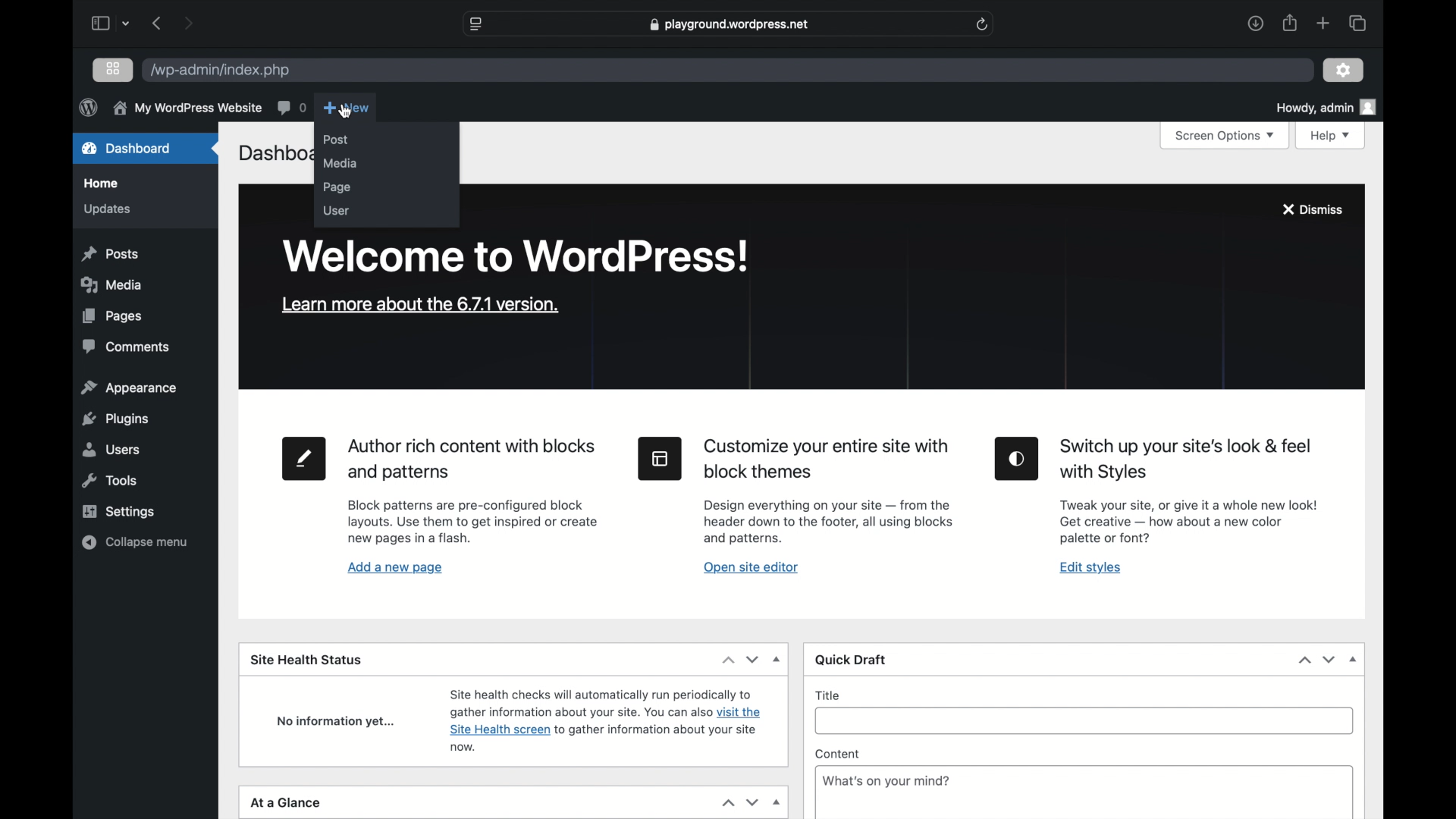 This screenshot has width=1456, height=819. I want to click on Headline, so click(1184, 460).